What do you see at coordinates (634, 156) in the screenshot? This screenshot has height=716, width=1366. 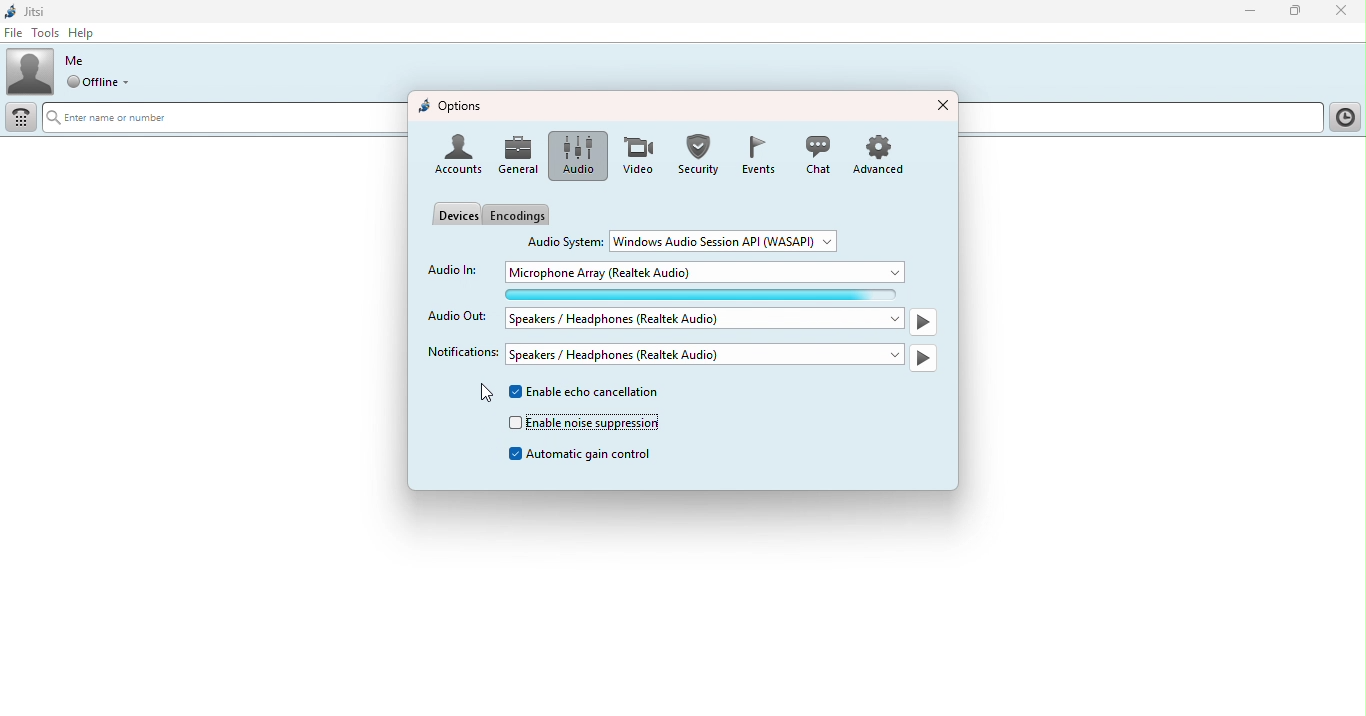 I see `Video` at bounding box center [634, 156].